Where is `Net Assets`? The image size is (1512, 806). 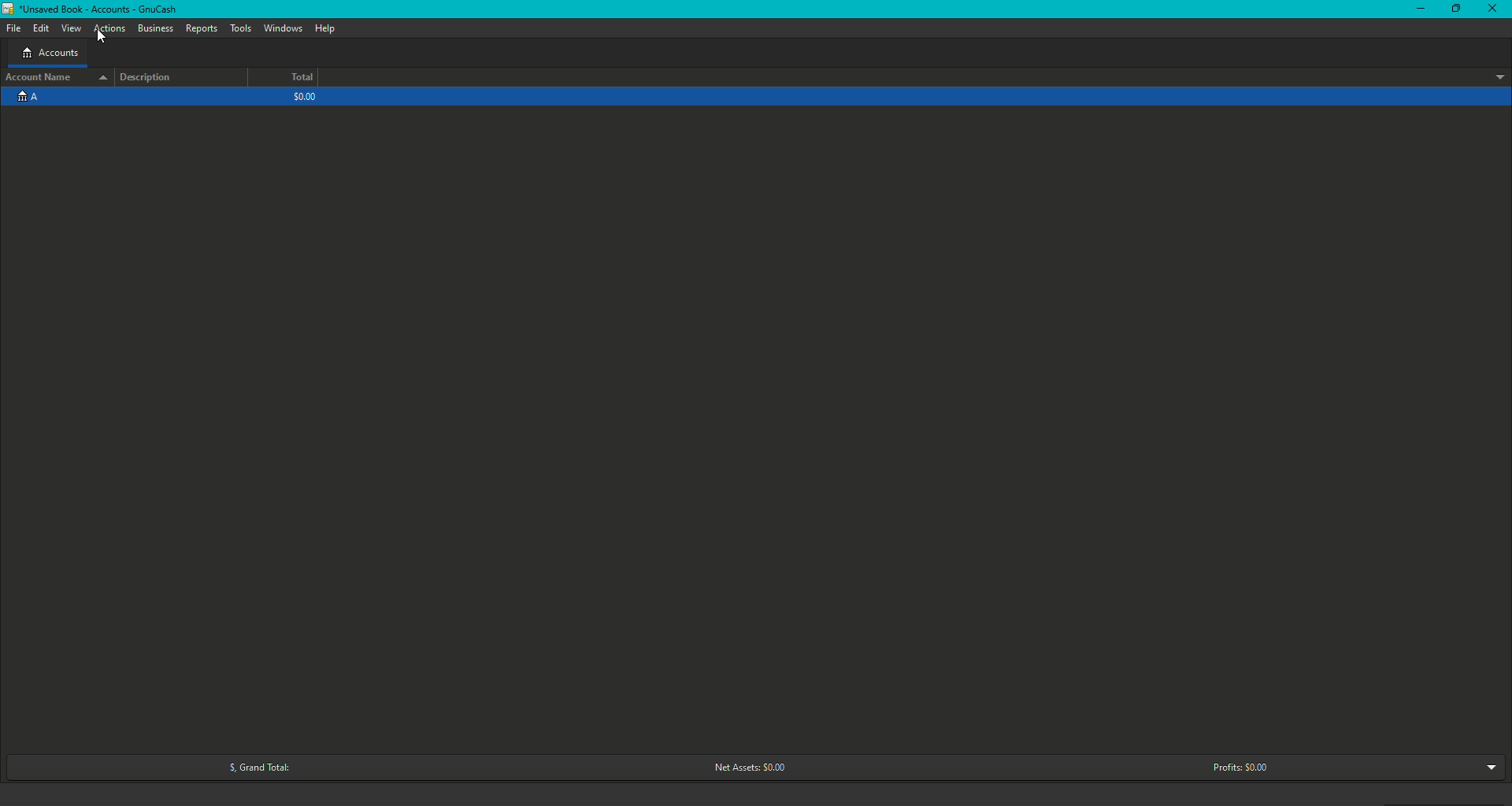
Net Assets is located at coordinates (747, 767).